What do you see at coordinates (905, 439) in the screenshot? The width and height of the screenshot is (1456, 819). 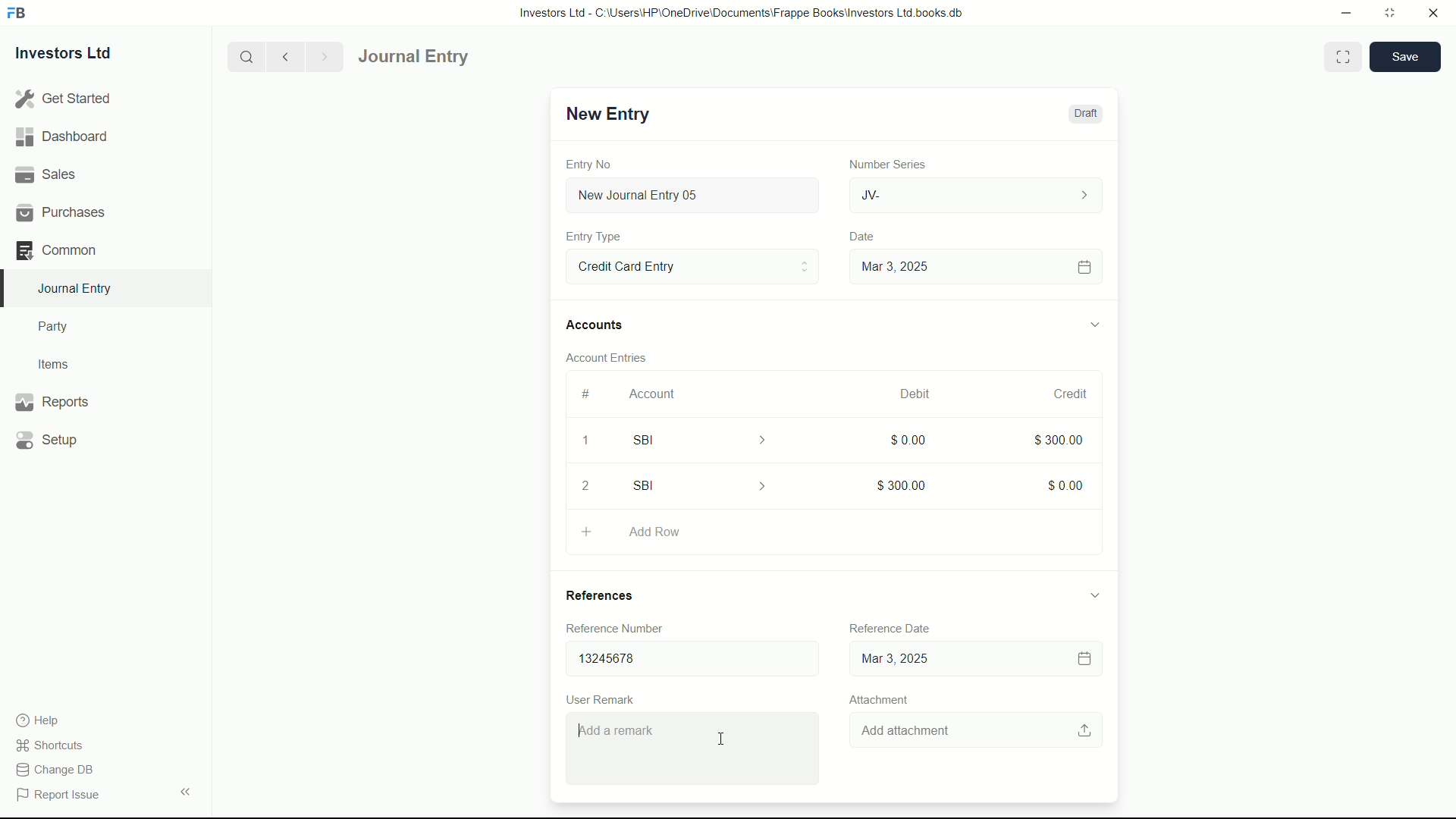 I see `$0.00` at bounding box center [905, 439].